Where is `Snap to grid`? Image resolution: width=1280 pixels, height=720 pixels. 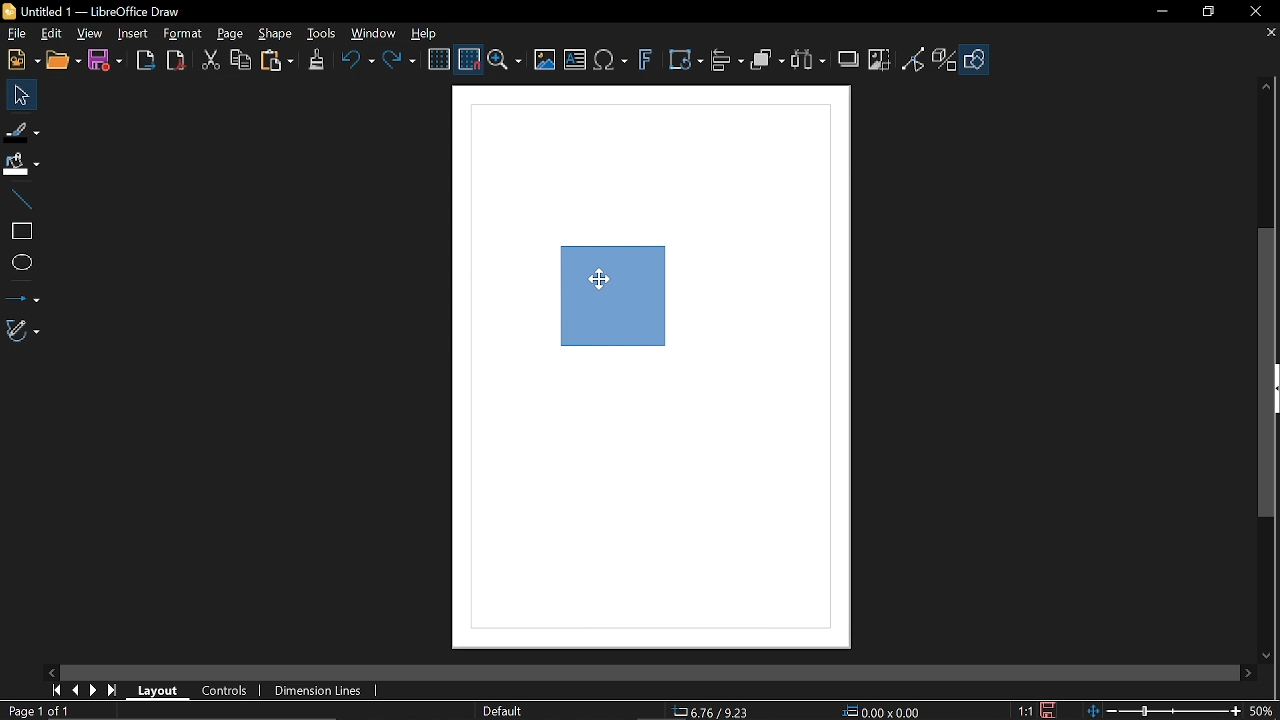 Snap to grid is located at coordinates (470, 60).